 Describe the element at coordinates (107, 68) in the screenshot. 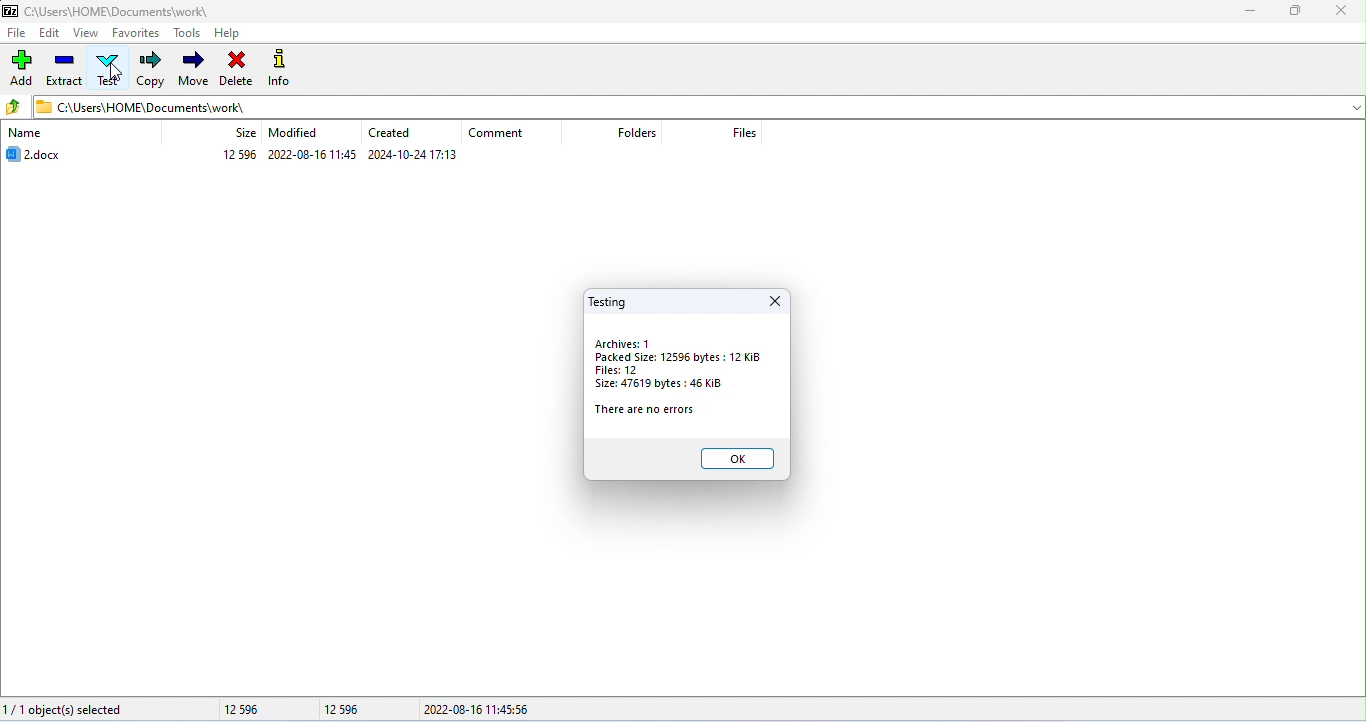

I see `text` at that location.